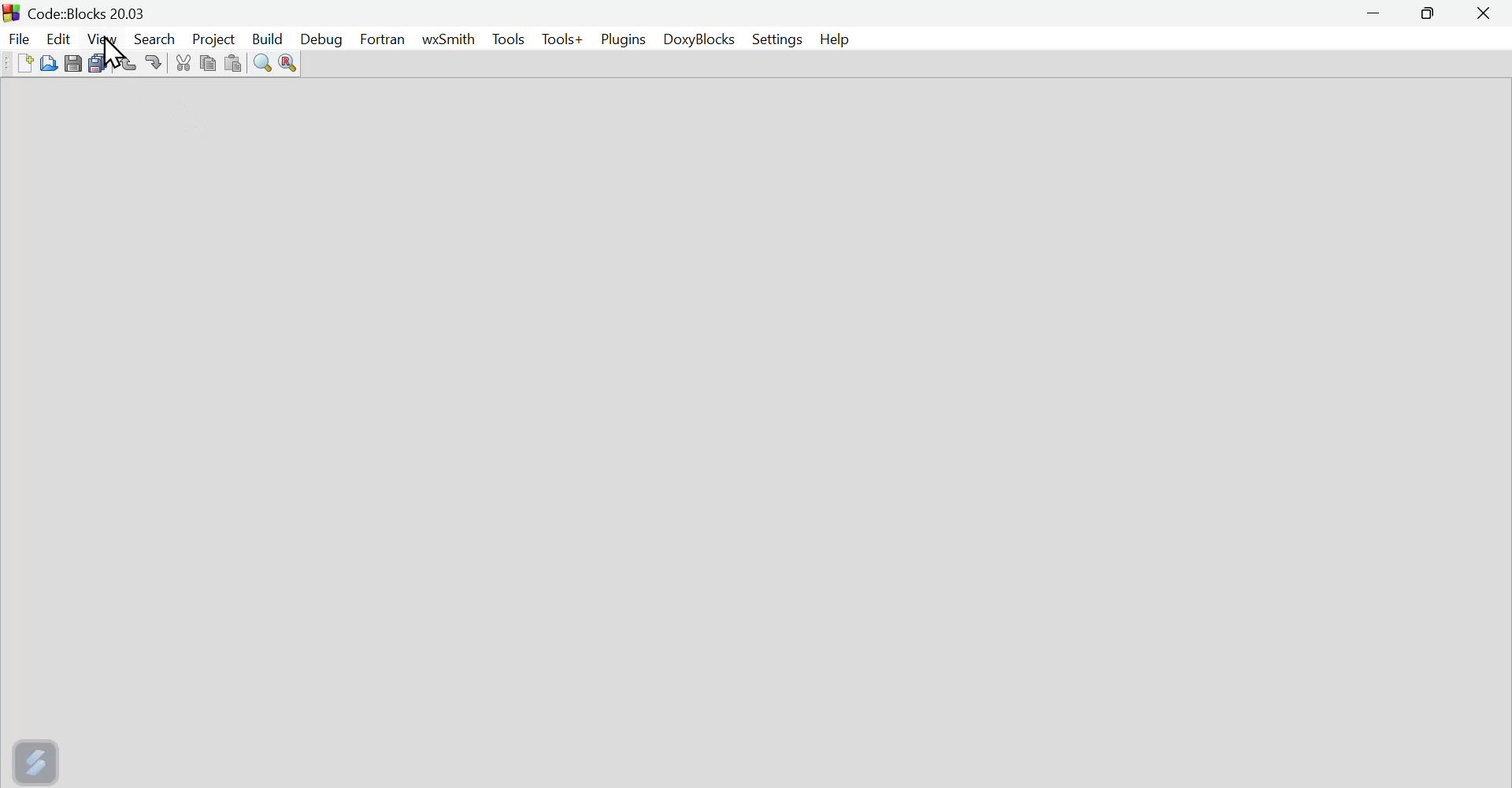 Image resolution: width=1512 pixels, height=788 pixels. I want to click on project, so click(213, 36).